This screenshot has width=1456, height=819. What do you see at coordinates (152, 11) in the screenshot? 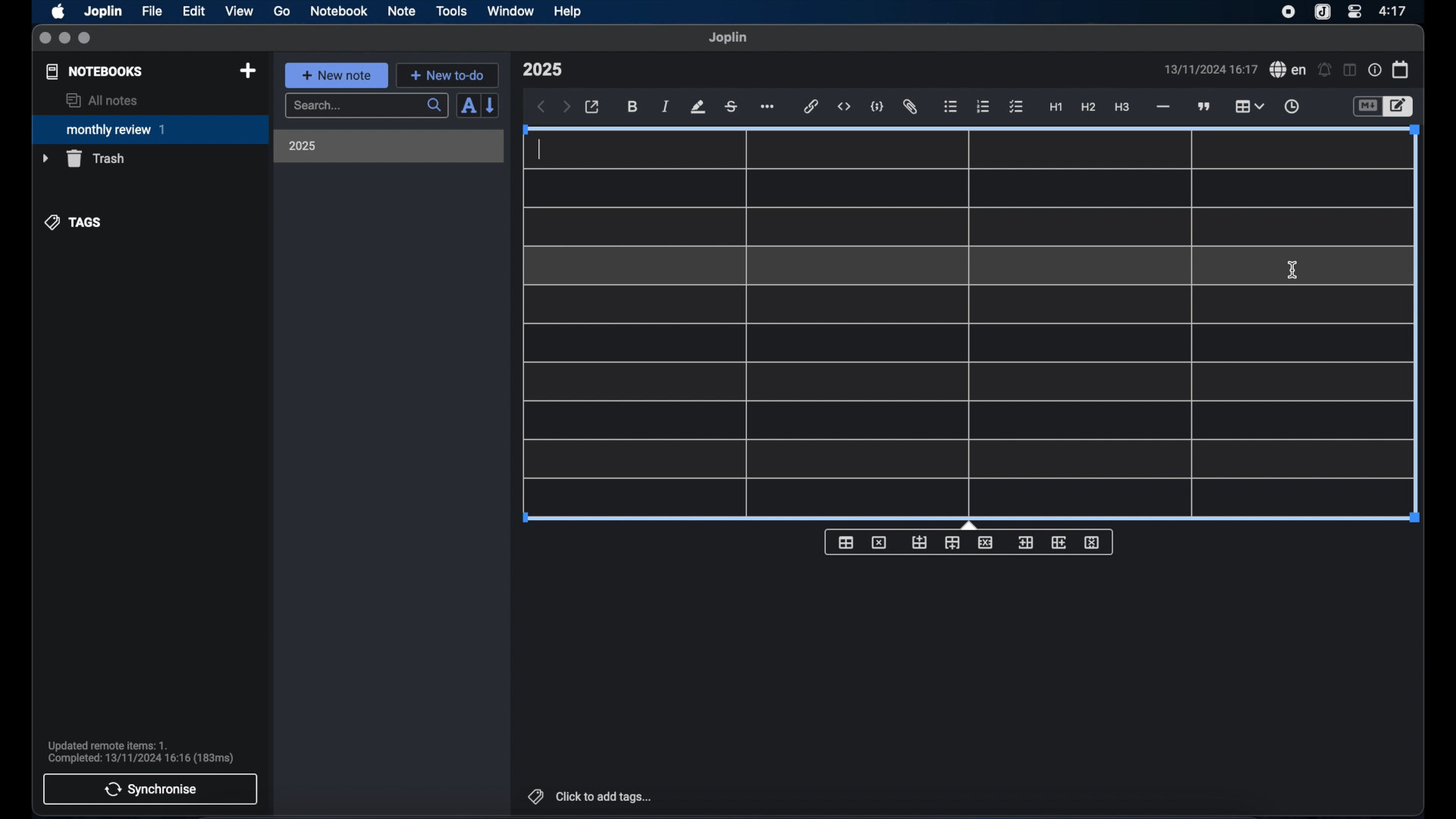
I see `file` at bounding box center [152, 11].